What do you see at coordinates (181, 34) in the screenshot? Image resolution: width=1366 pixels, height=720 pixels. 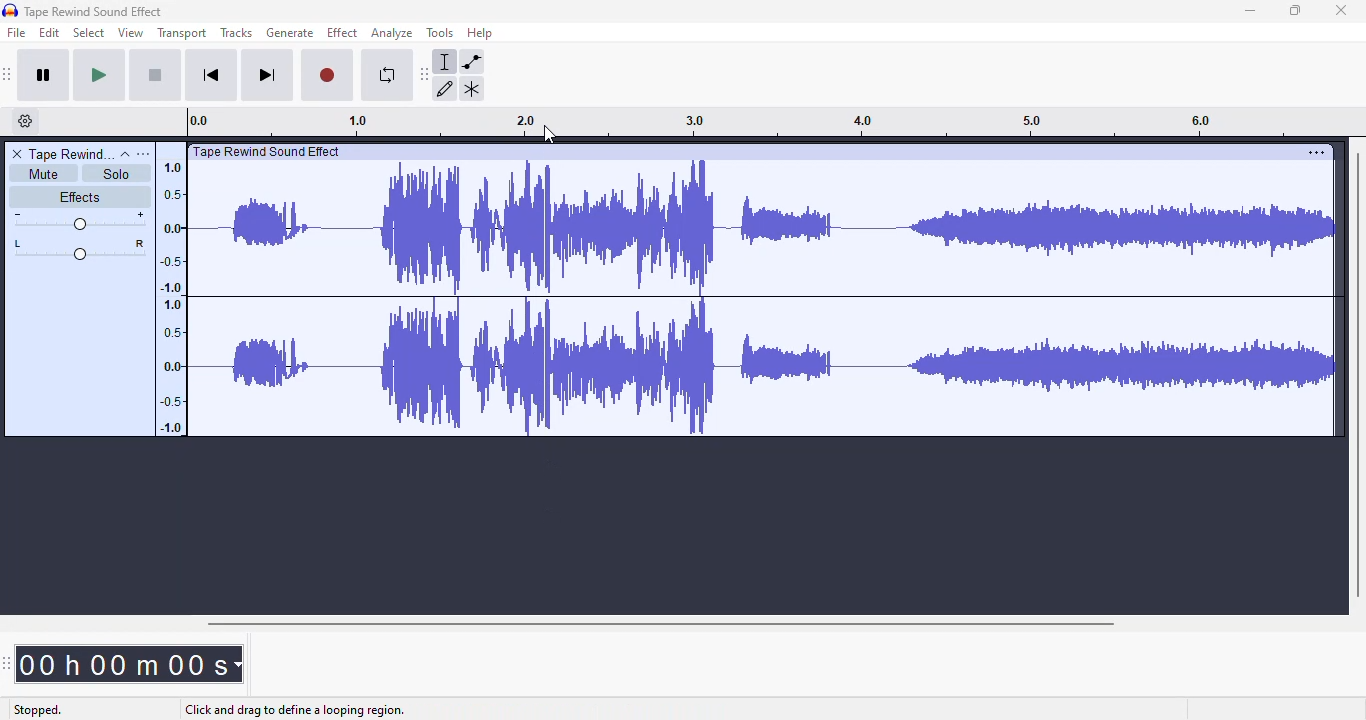 I see `transport` at bounding box center [181, 34].